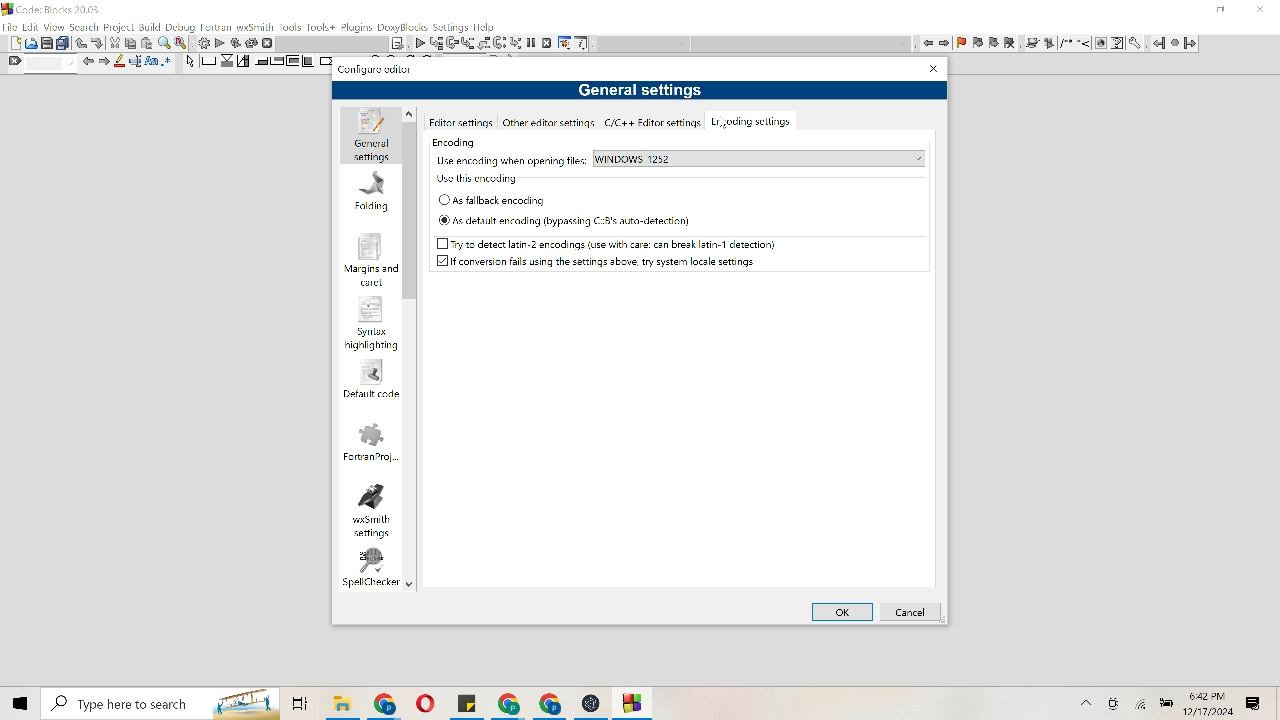  Describe the element at coordinates (530, 44) in the screenshot. I see `Pause` at that location.